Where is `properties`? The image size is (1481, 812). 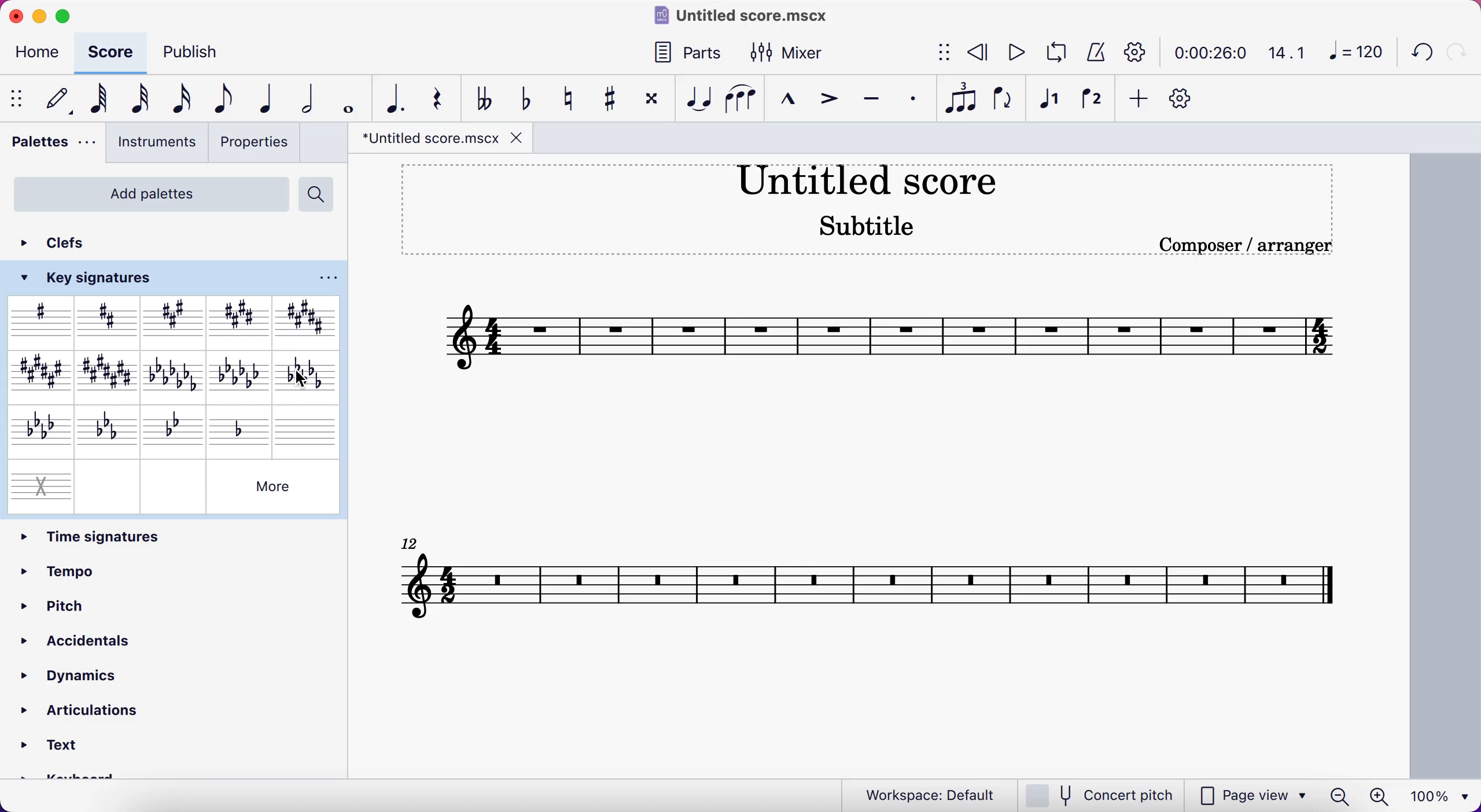 properties is located at coordinates (256, 144).